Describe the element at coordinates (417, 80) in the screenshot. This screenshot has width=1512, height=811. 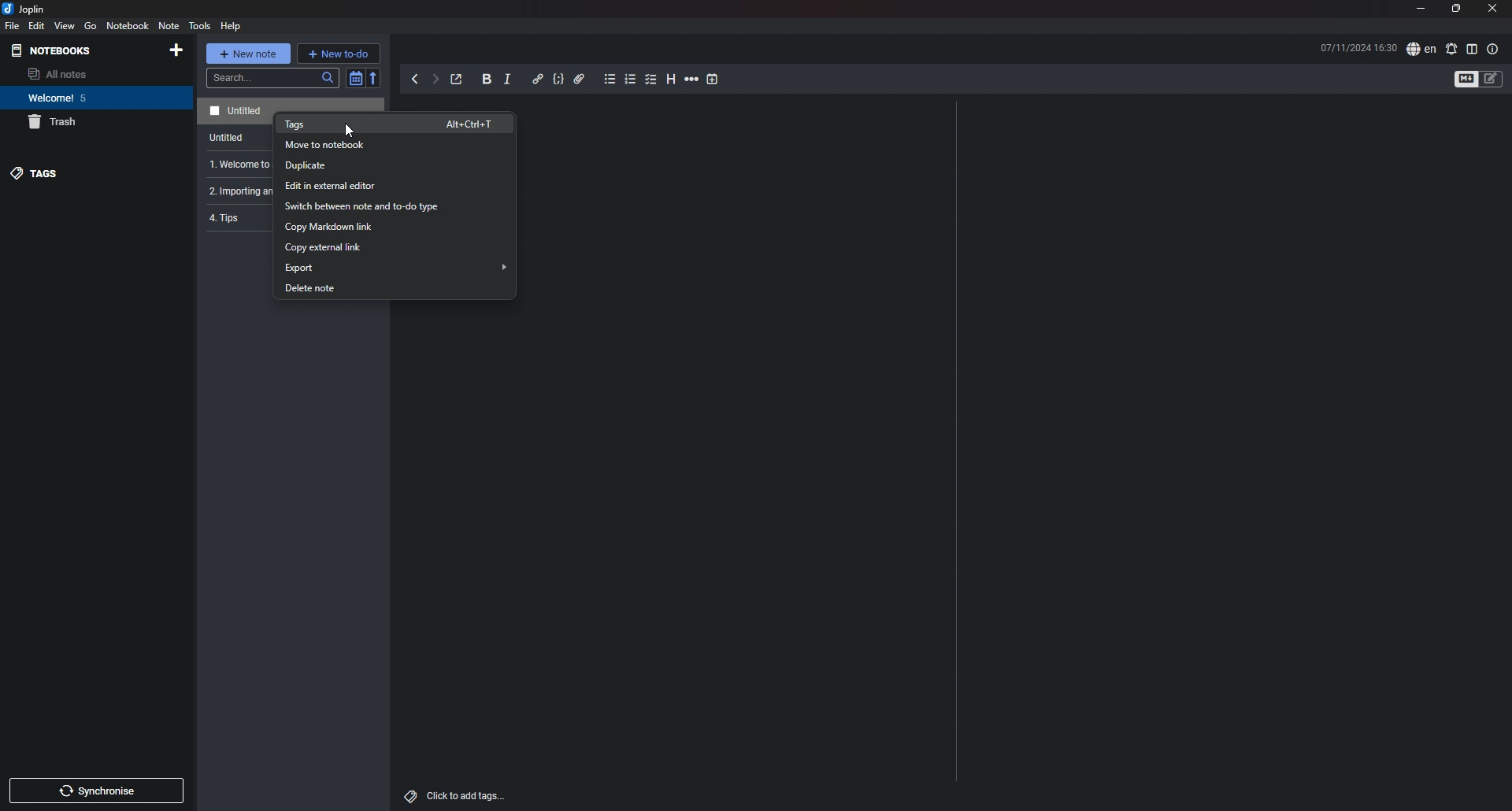
I see `back` at that location.